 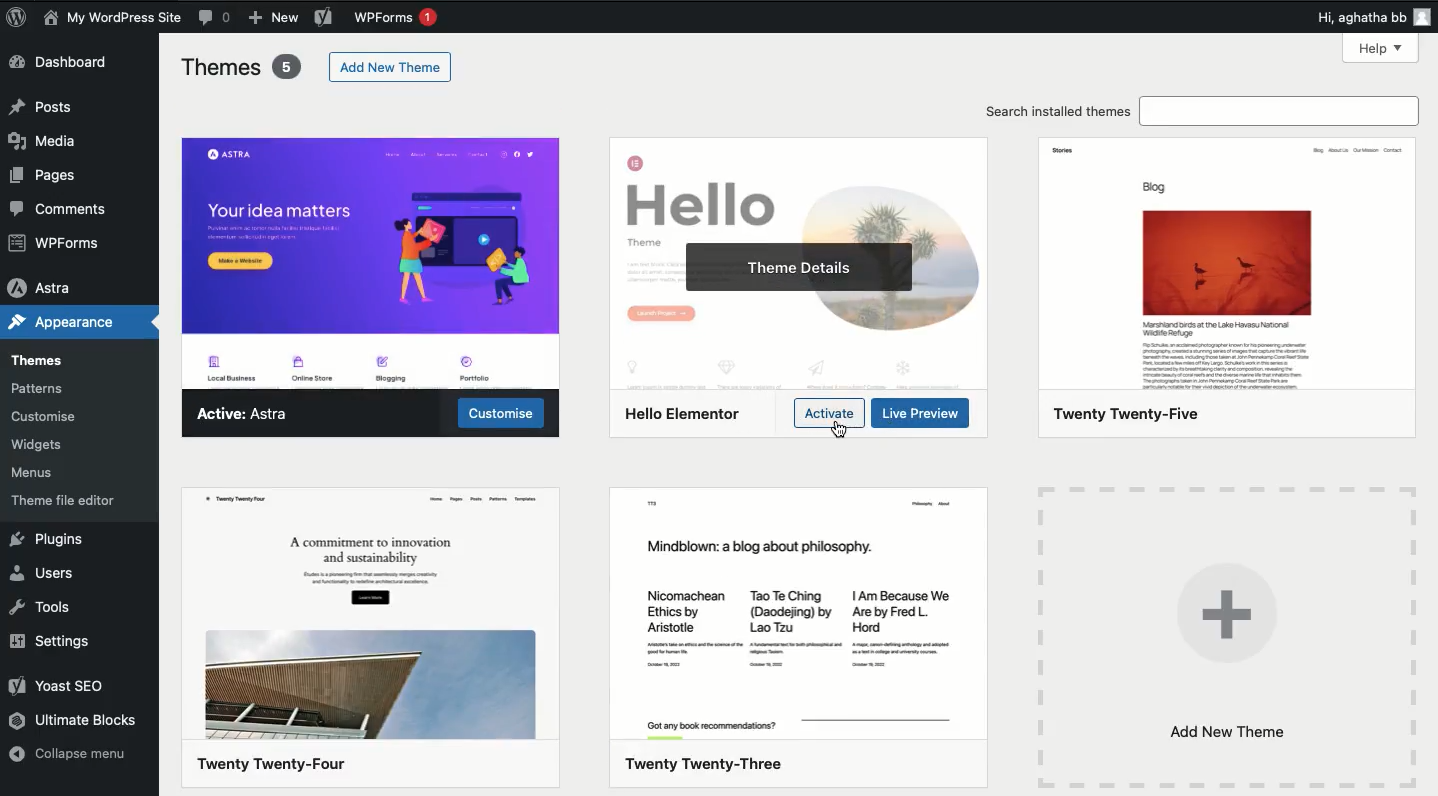 What do you see at coordinates (18, 17) in the screenshot?
I see `Logo` at bounding box center [18, 17].